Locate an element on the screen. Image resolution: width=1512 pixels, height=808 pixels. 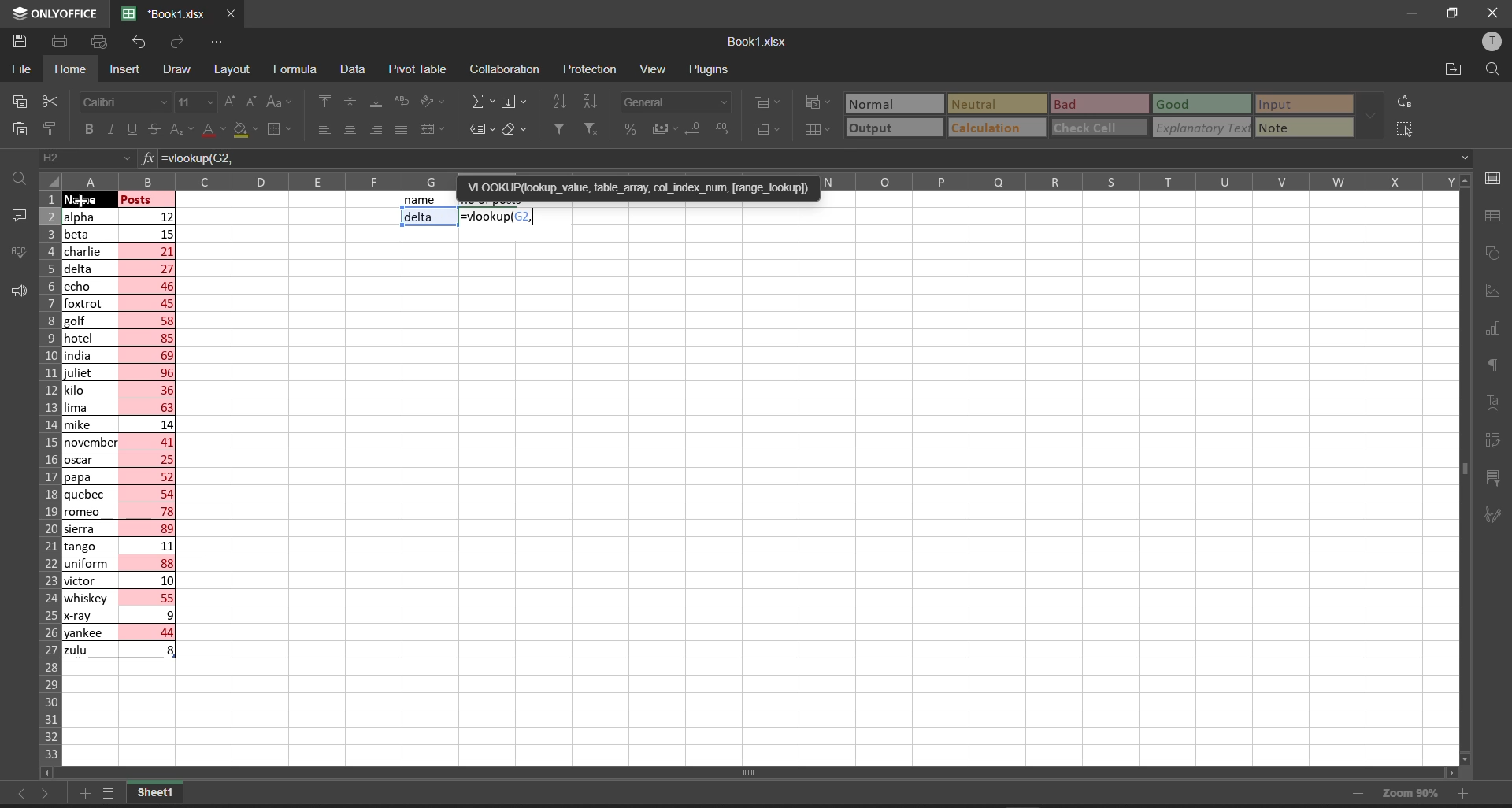
note is located at coordinates (1285, 126).